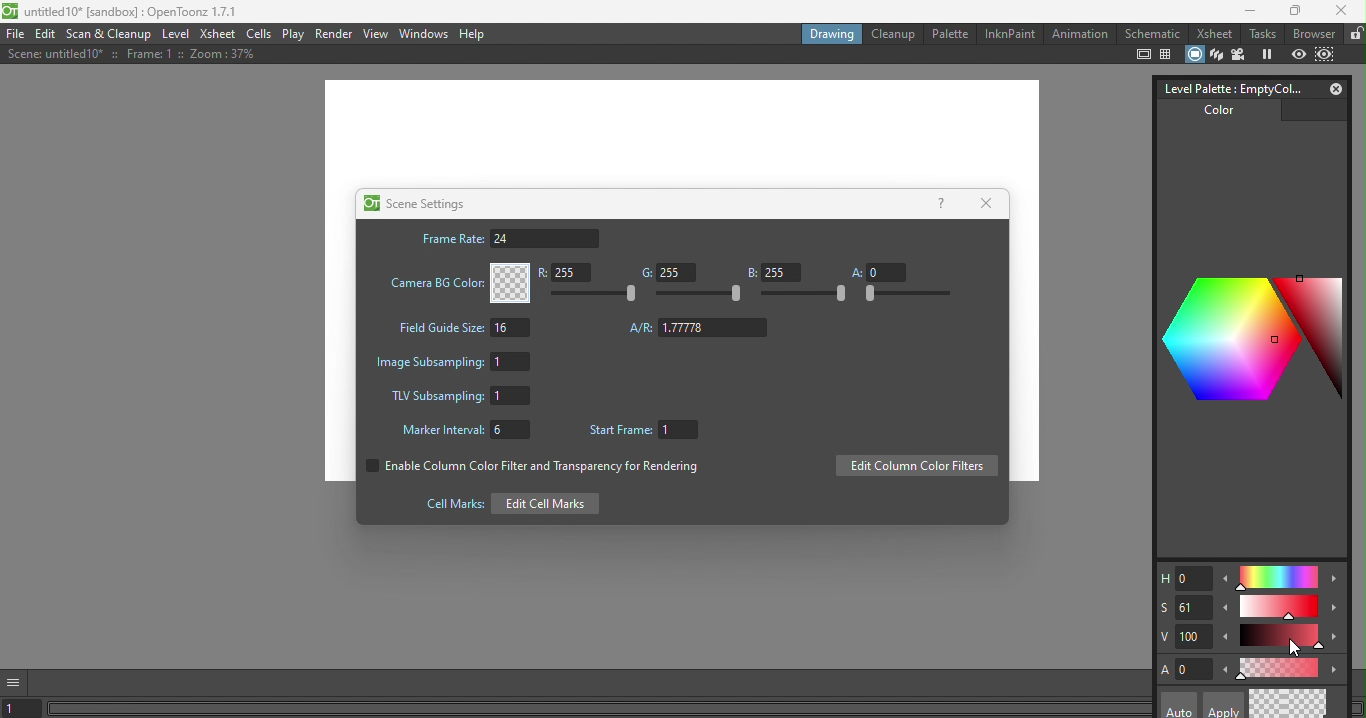 This screenshot has width=1366, height=718. Describe the element at coordinates (1226, 582) in the screenshot. I see `Decrease` at that location.